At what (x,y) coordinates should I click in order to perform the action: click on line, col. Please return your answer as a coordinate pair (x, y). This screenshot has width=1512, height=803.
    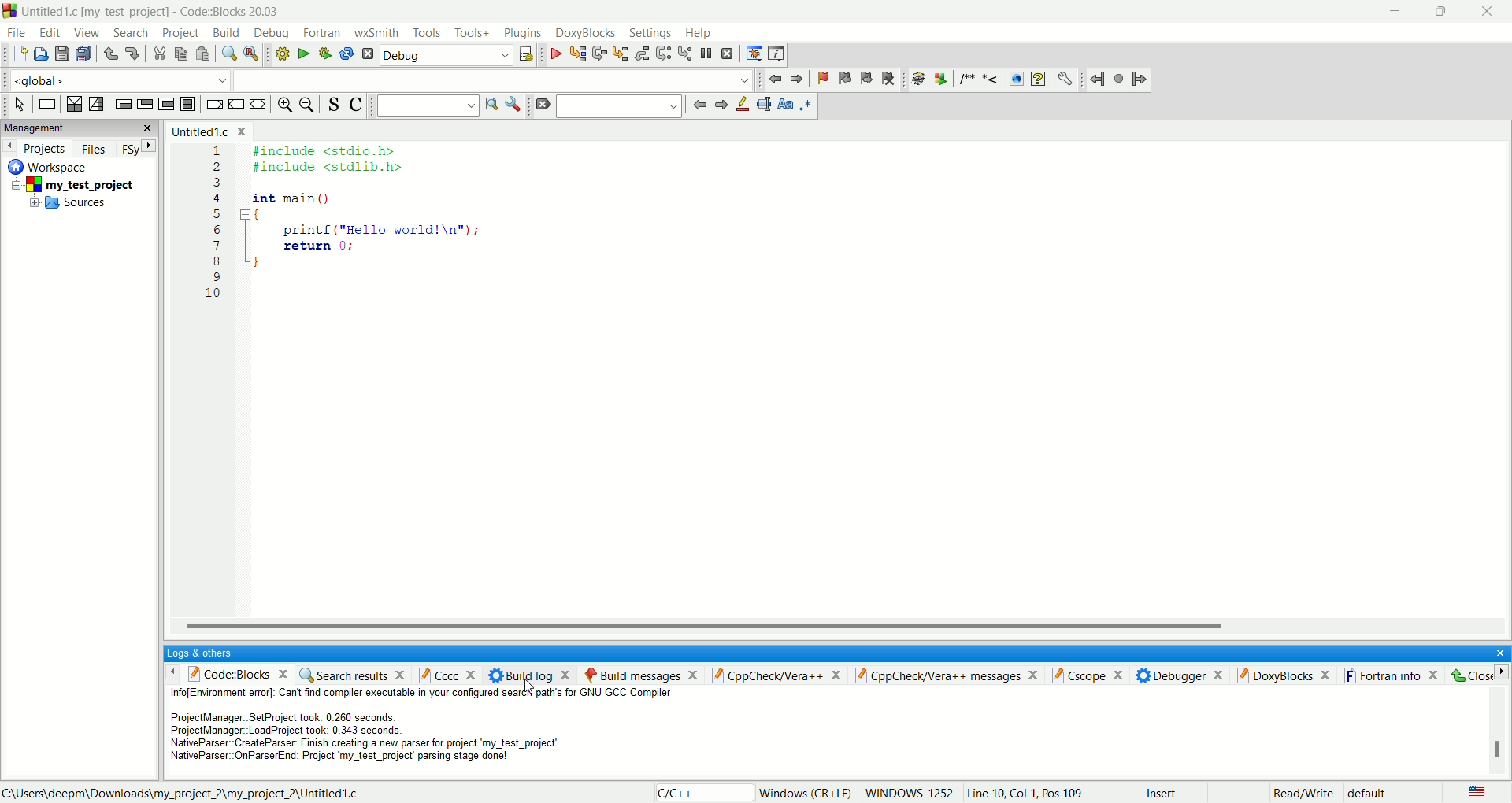
    Looking at the image, I should click on (1025, 794).